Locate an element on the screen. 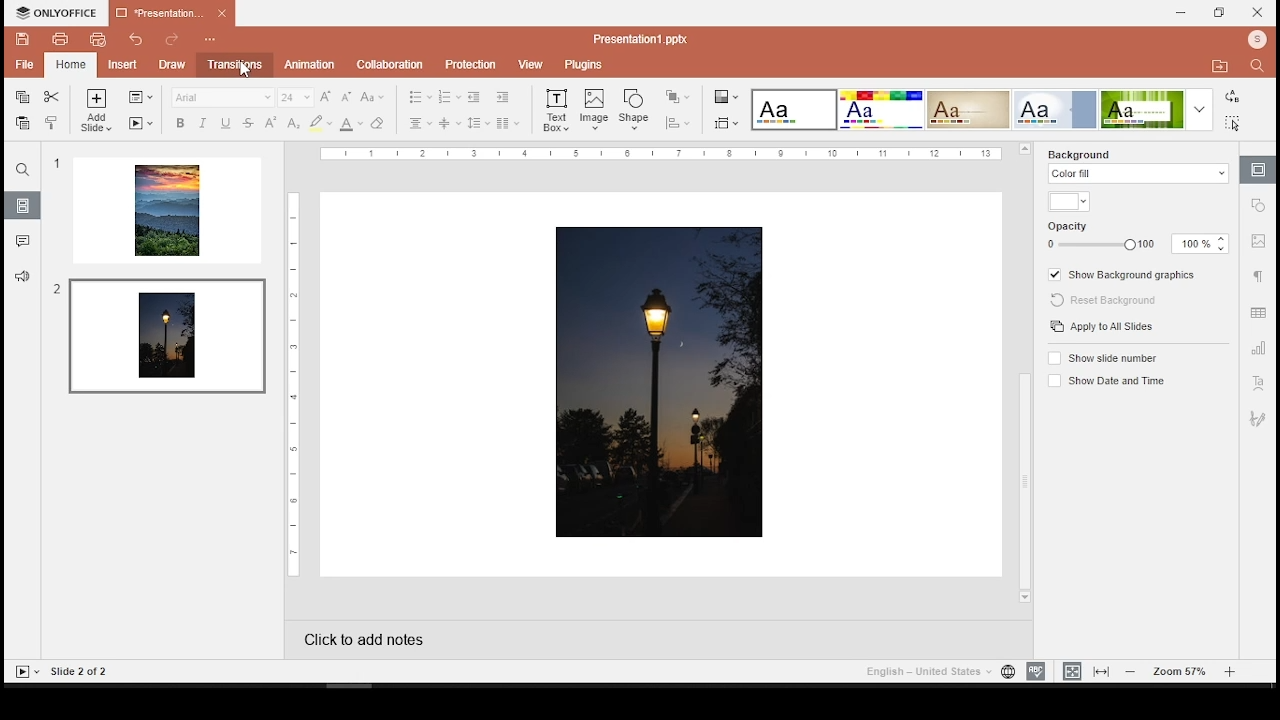 This screenshot has height=720, width=1280. slide 1 is located at coordinates (167, 211).